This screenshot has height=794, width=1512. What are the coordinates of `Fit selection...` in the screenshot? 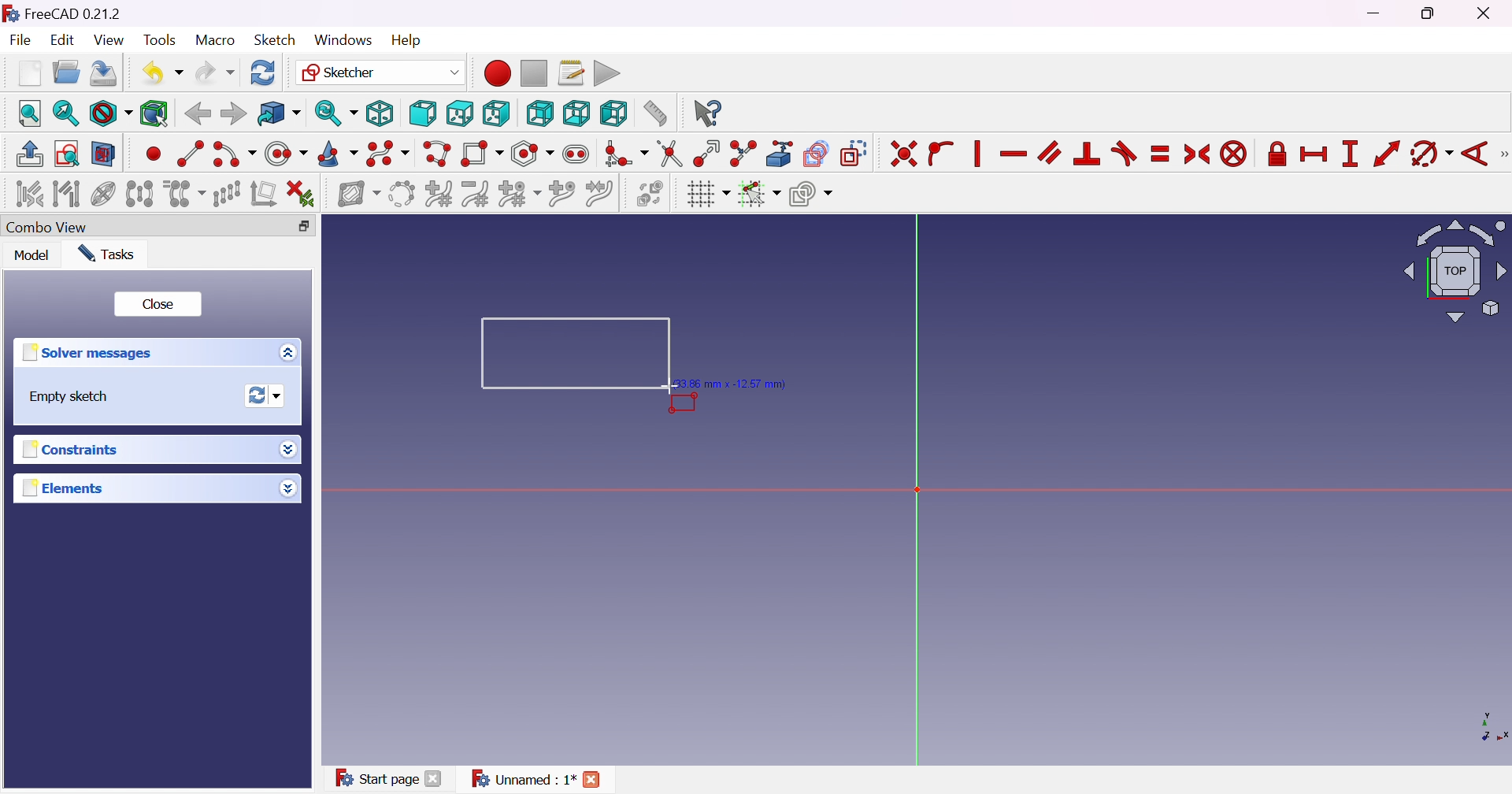 It's located at (66, 113).